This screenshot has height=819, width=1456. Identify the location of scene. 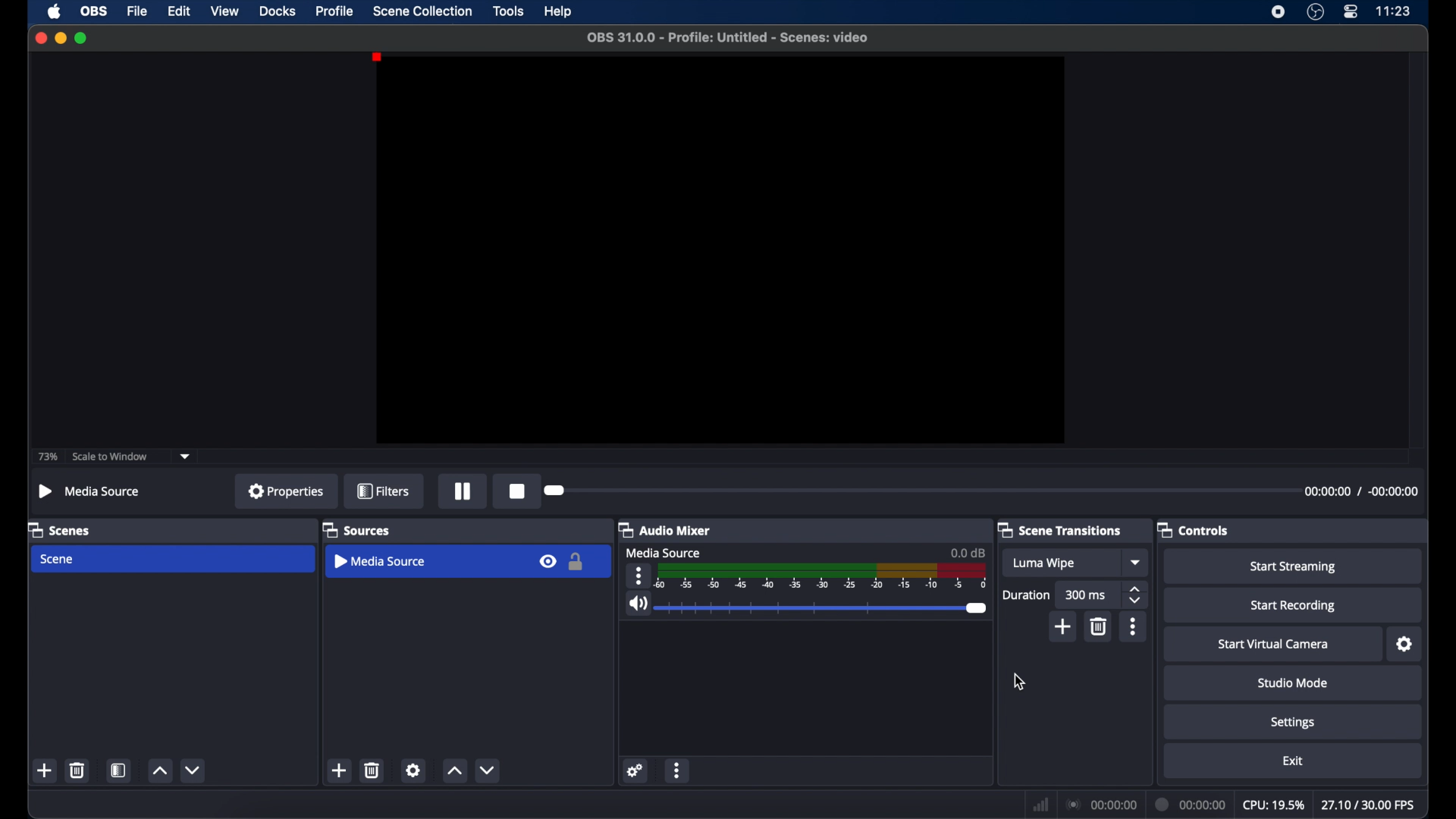
(56, 560).